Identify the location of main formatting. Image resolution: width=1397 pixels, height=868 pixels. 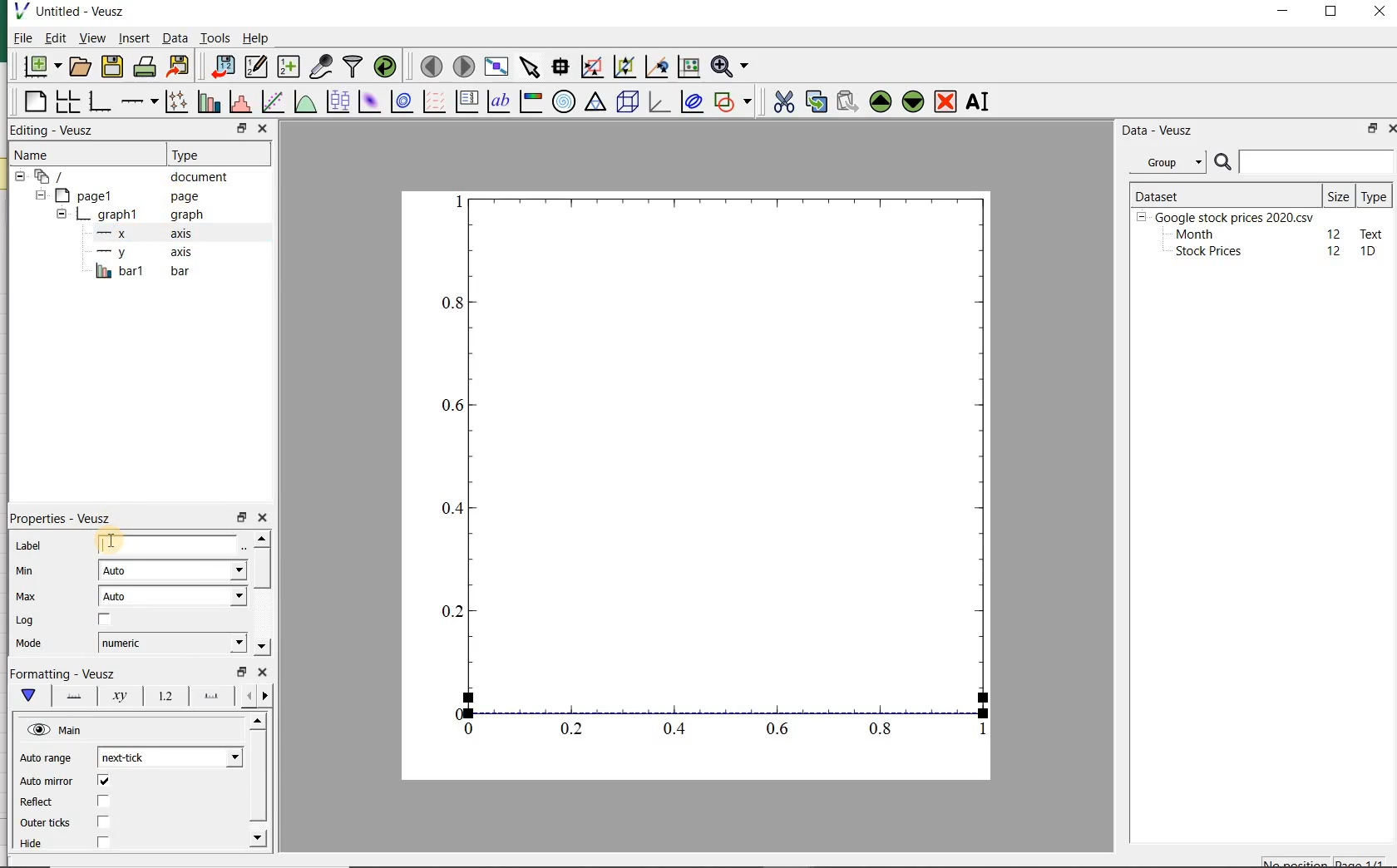
(25, 695).